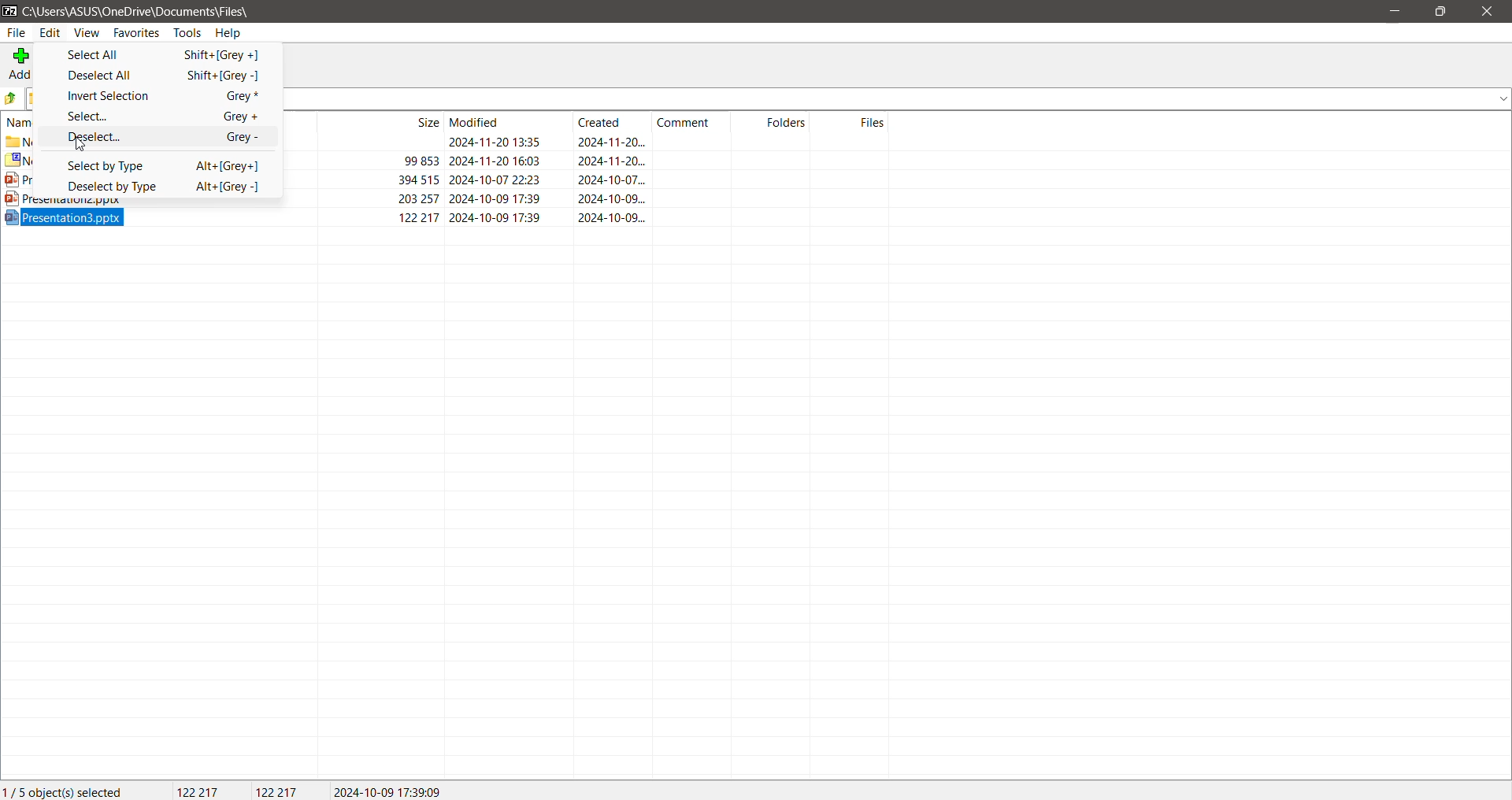 The image size is (1512, 800). I want to click on Invert Selection, so click(110, 96).